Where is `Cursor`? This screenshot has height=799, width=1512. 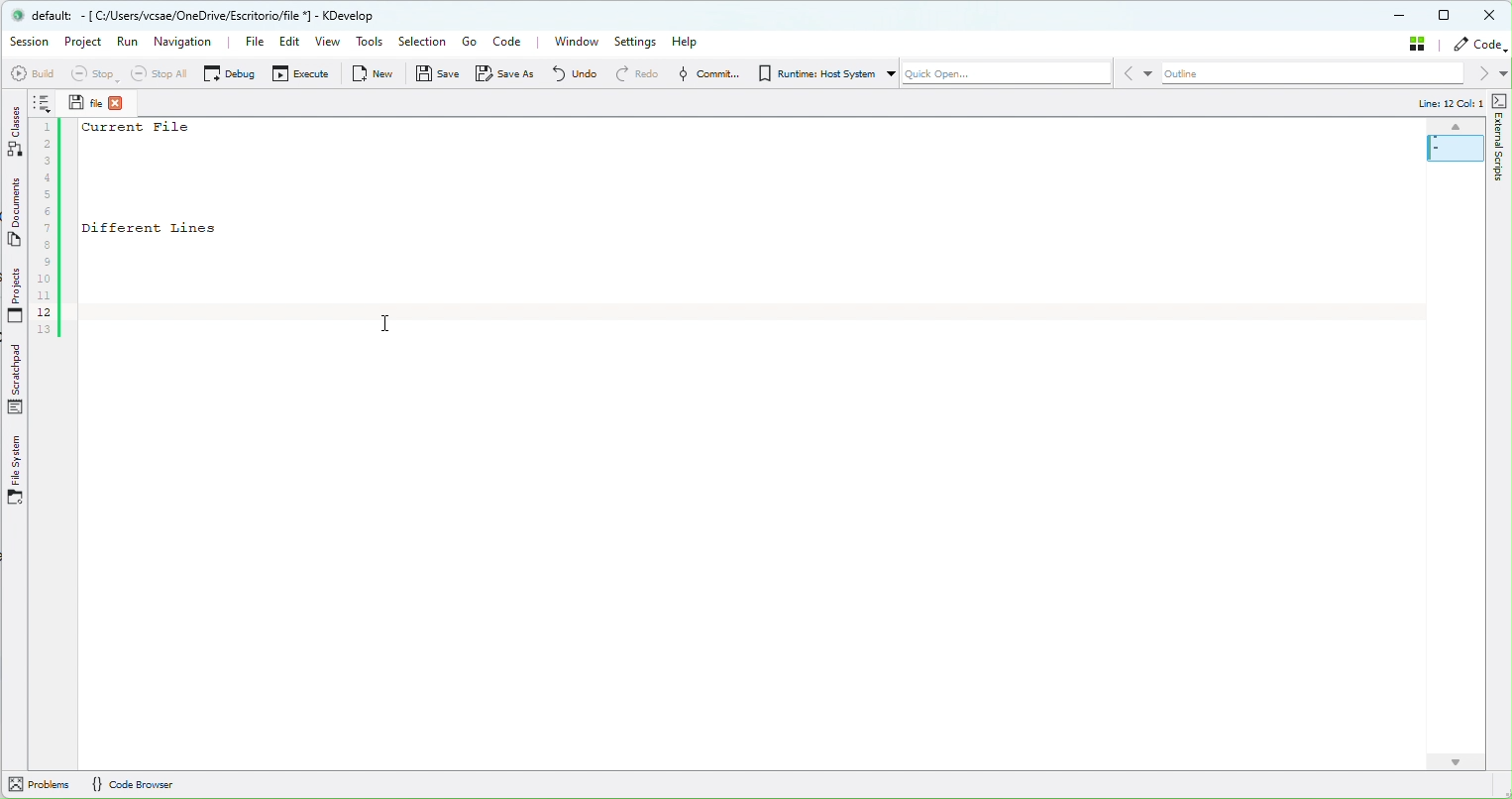 Cursor is located at coordinates (391, 320).